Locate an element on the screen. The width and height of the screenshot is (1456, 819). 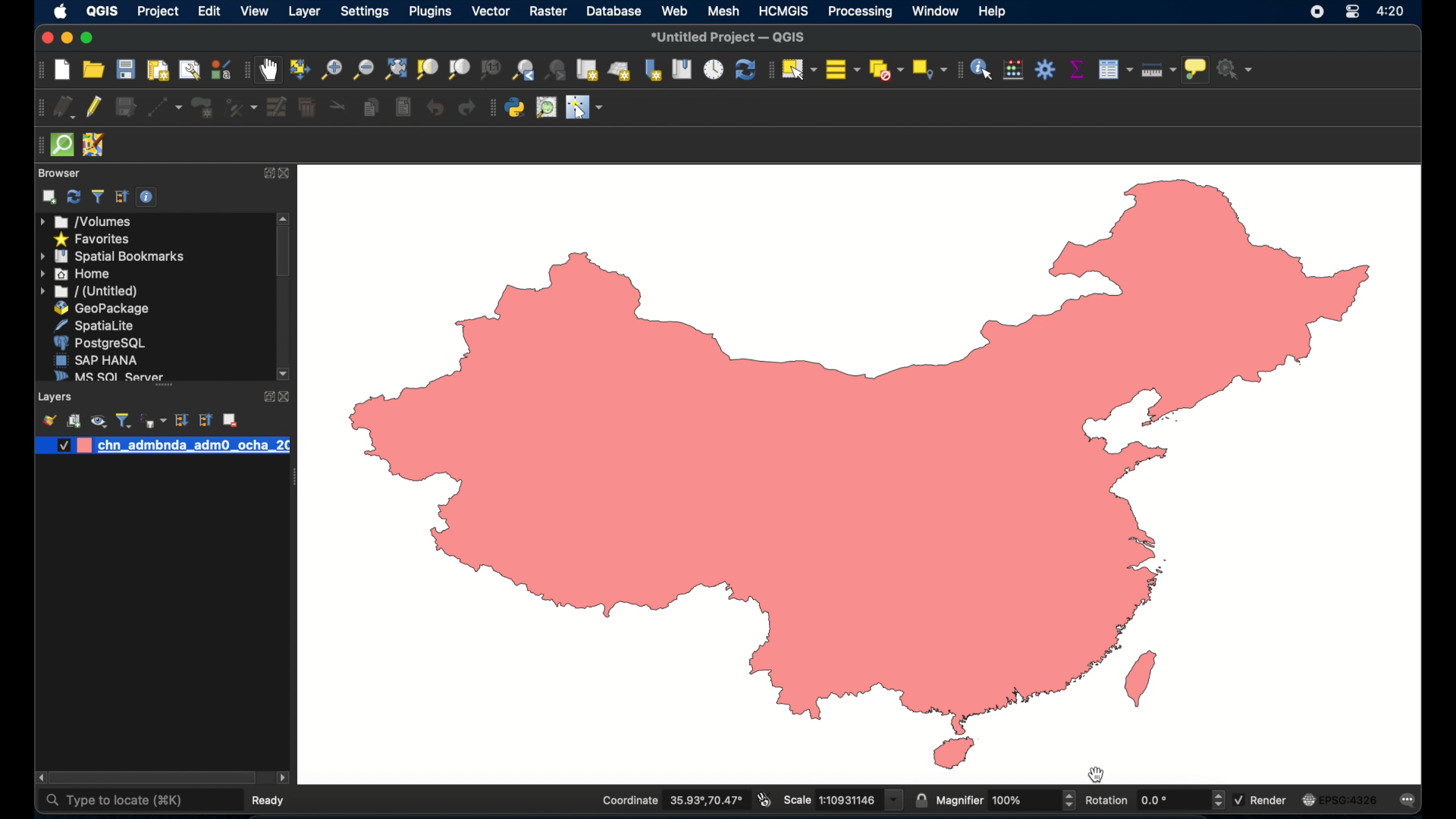
layers is located at coordinates (164, 389).